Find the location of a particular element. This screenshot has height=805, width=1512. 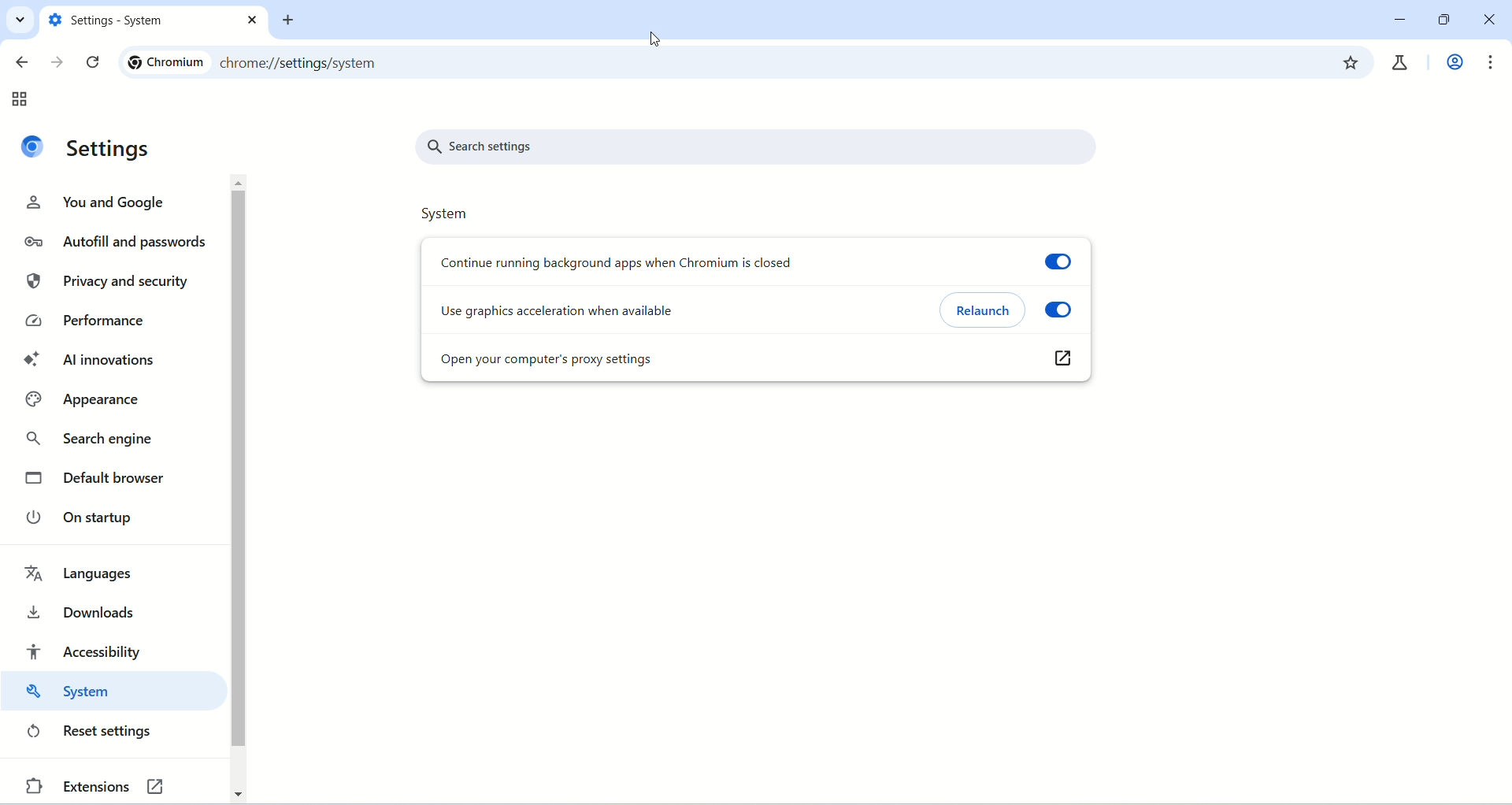

toggle button is located at coordinates (1067, 258).